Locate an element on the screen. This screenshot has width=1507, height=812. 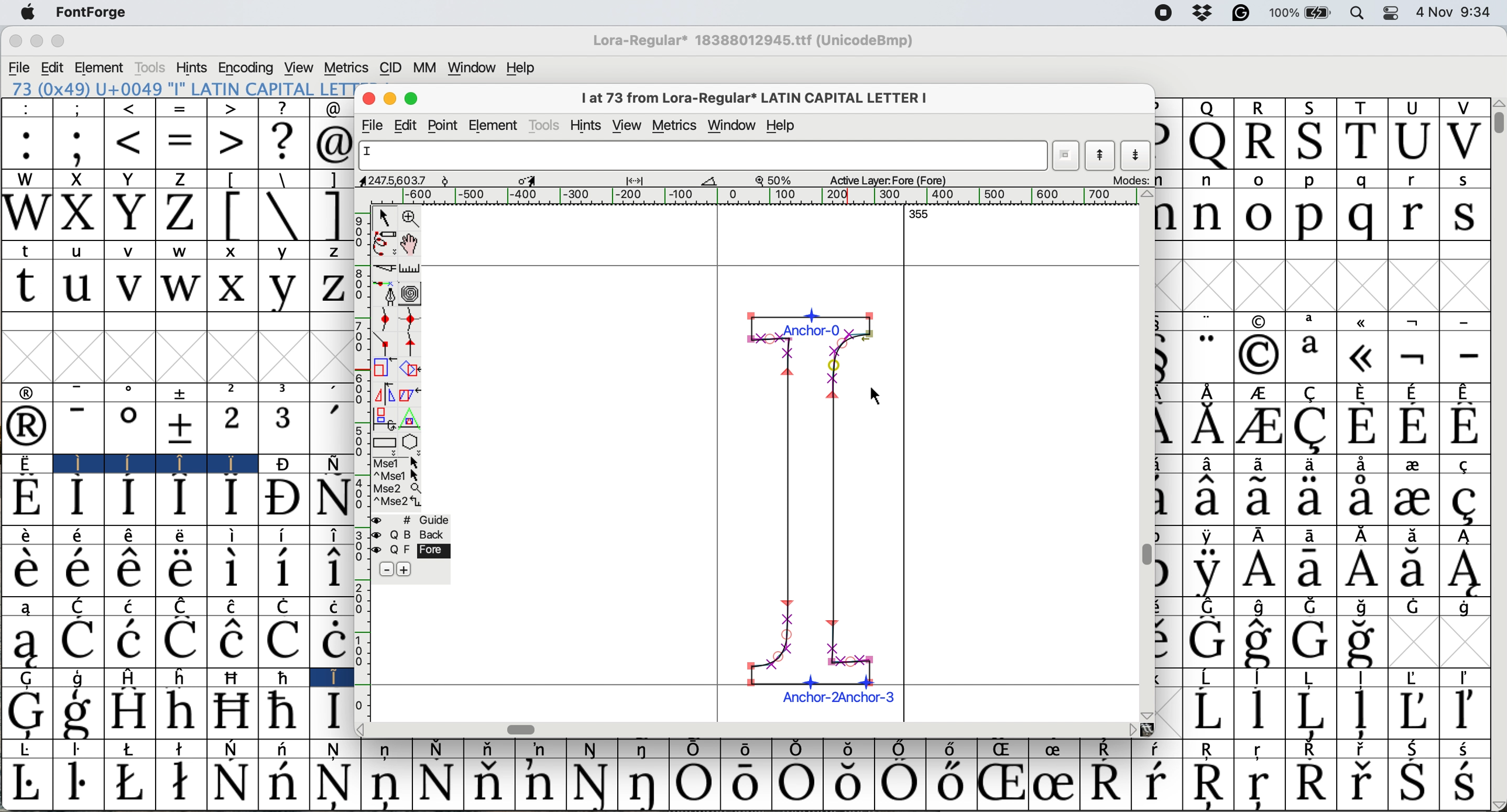
Symbol is located at coordinates (181, 748).